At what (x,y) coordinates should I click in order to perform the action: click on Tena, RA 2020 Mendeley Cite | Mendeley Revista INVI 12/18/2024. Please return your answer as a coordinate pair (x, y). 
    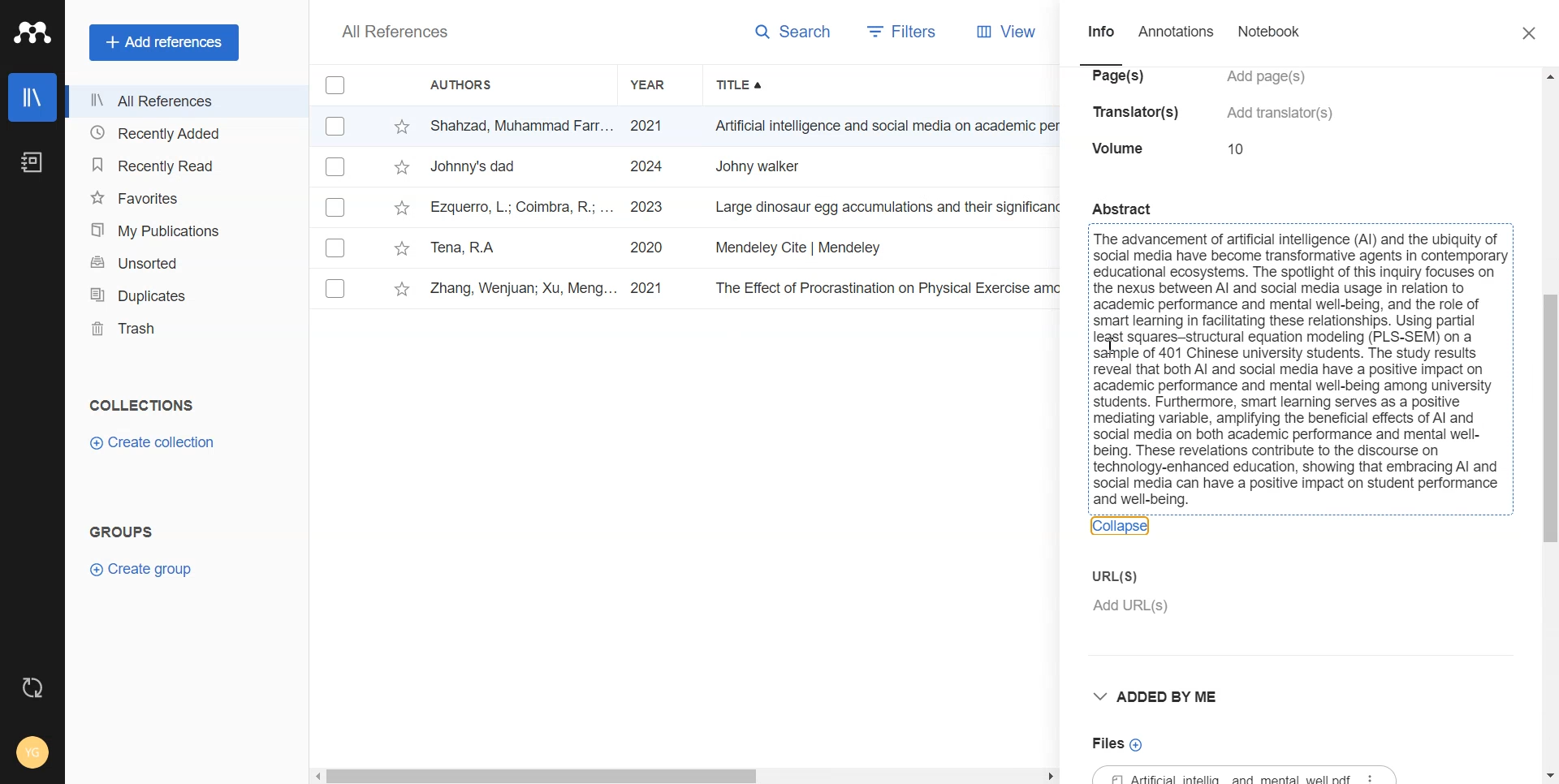
    Looking at the image, I should click on (669, 248).